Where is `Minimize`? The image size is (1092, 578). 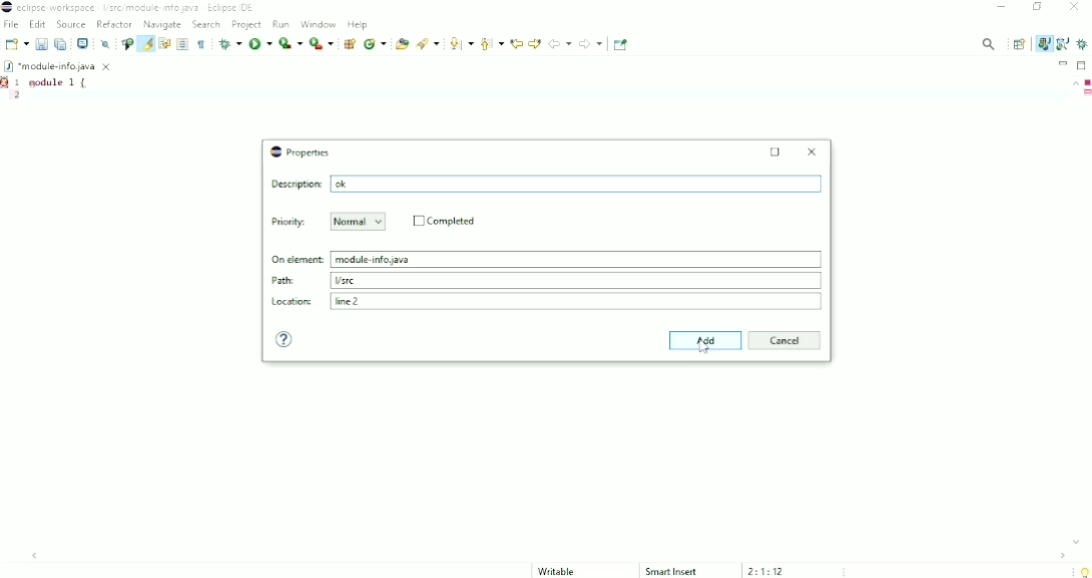 Minimize is located at coordinates (1063, 63).